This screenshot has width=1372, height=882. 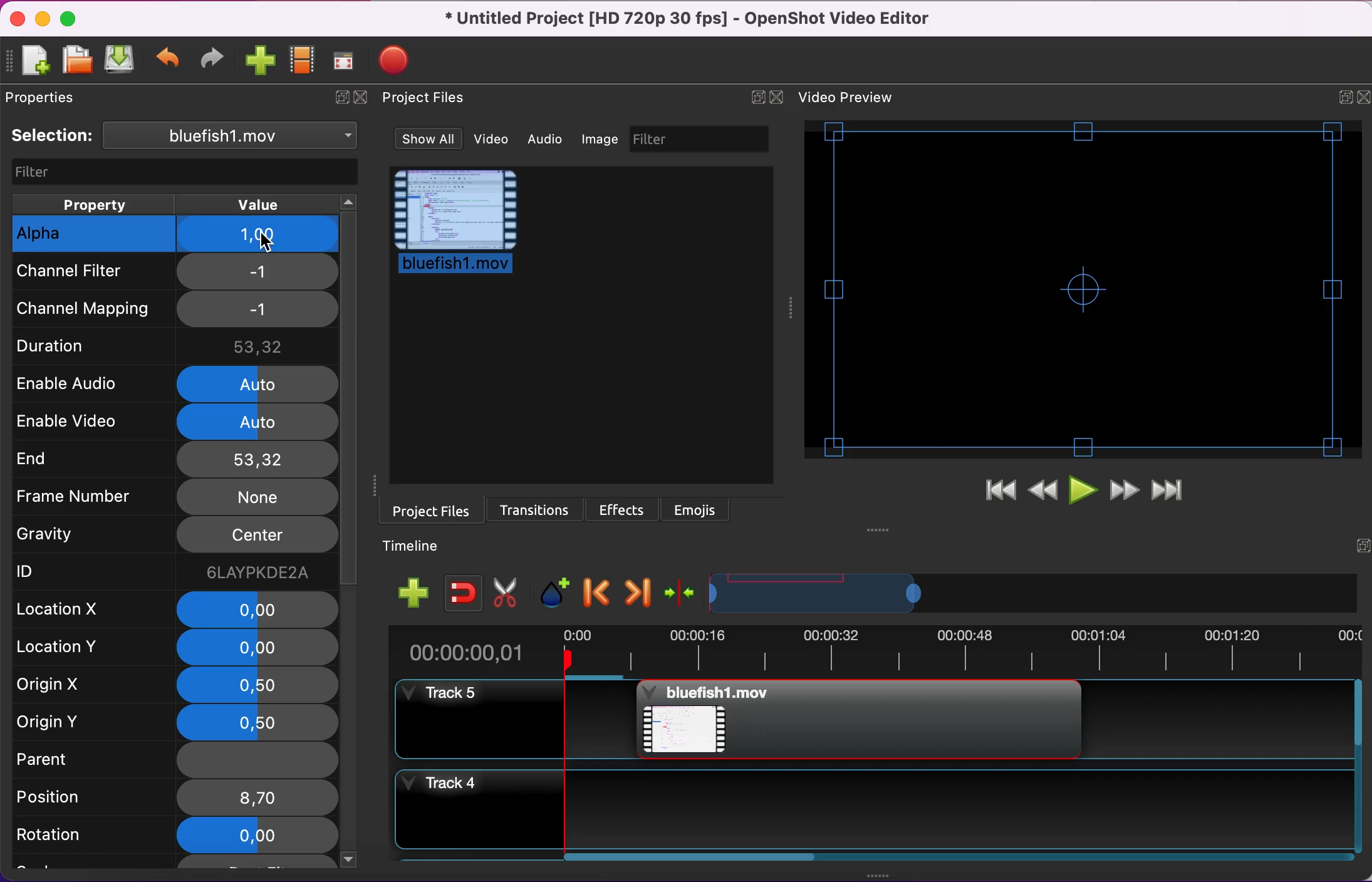 What do you see at coordinates (266, 241) in the screenshot?
I see `Cursor` at bounding box center [266, 241].